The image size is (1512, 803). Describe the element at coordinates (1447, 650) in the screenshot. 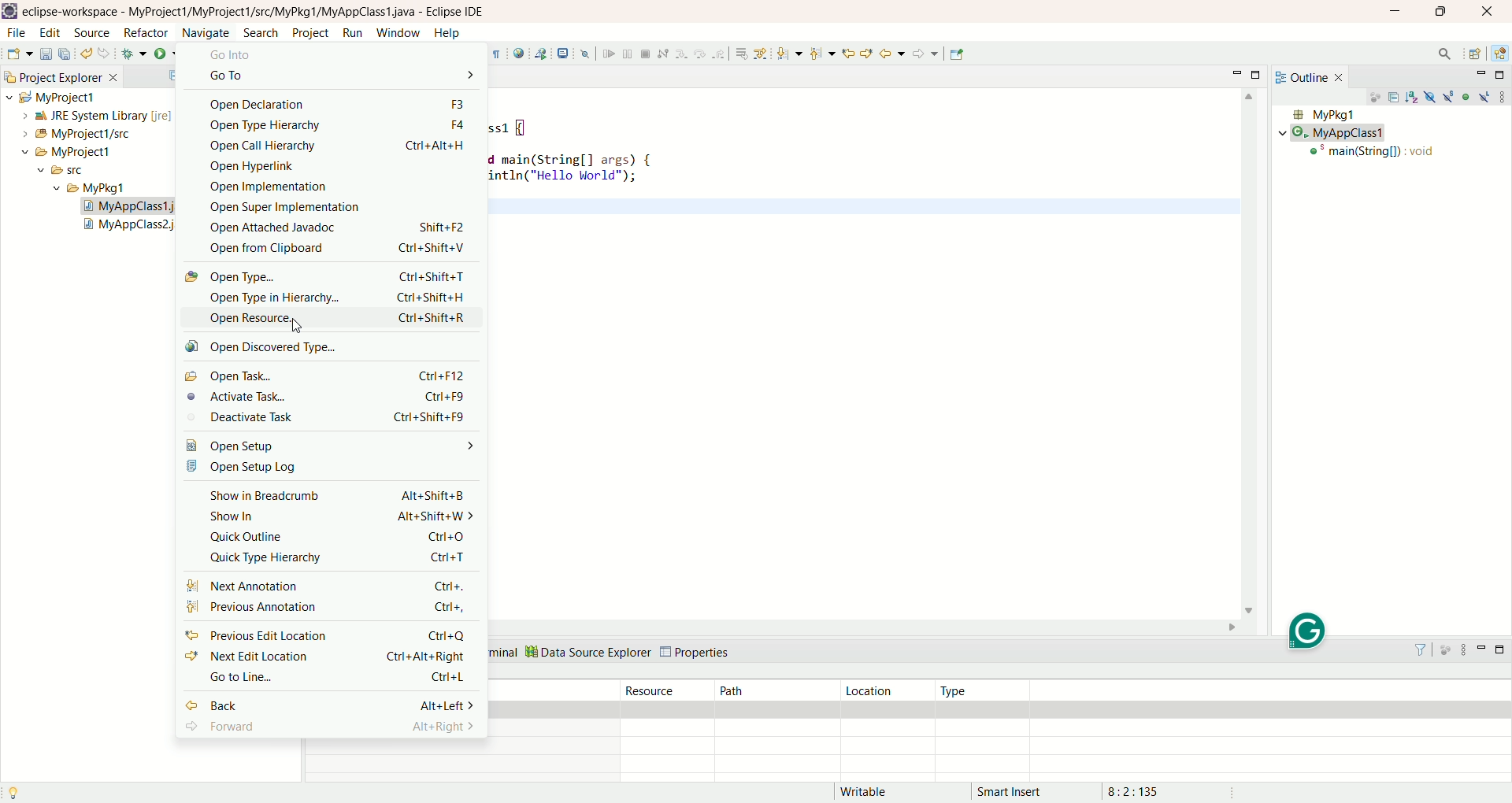

I see `focus on active task` at that location.